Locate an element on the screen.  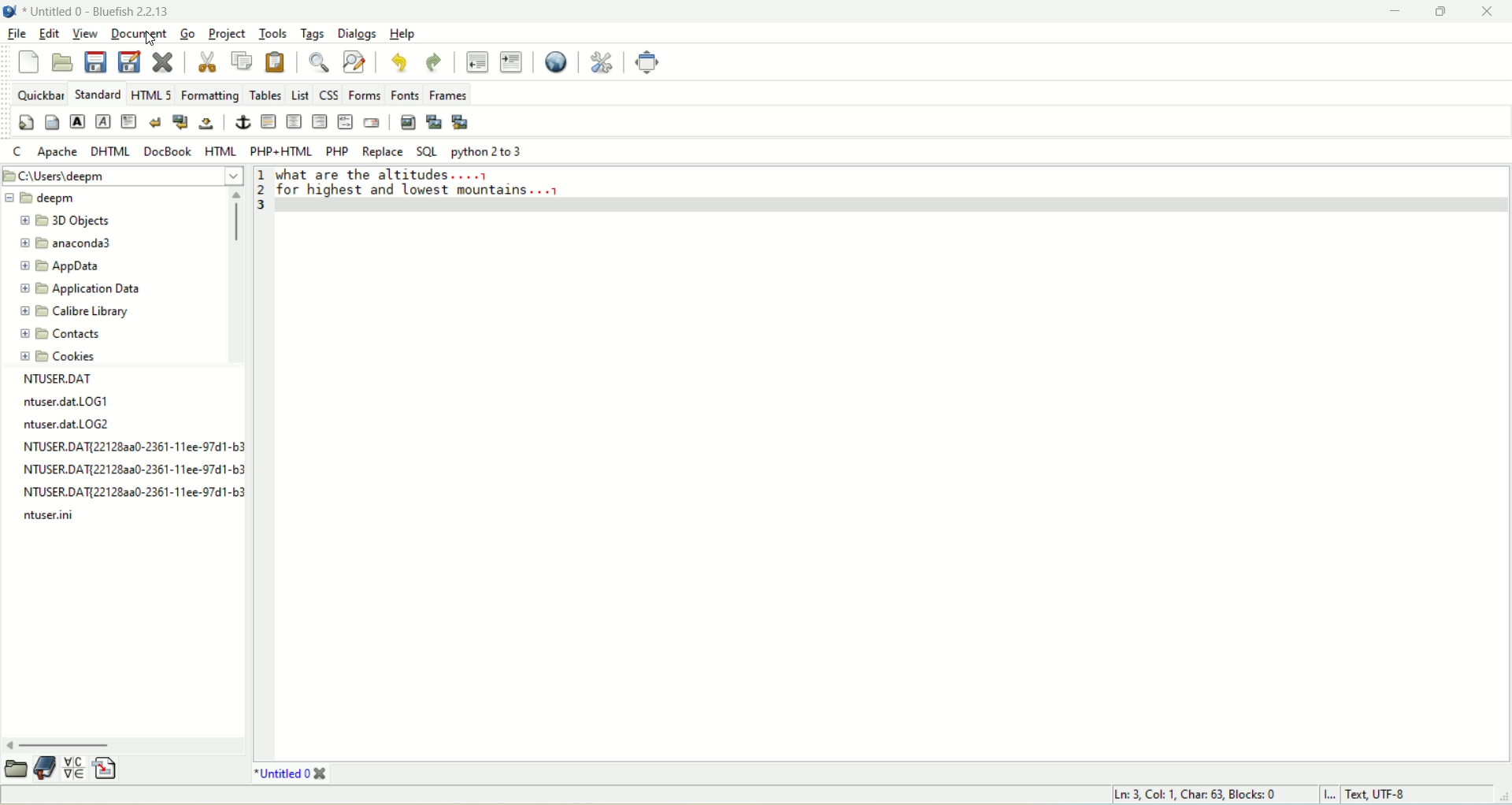
NTUSER.DAT{221282a0-2361-11ee-97d1-b3 is located at coordinates (132, 447).